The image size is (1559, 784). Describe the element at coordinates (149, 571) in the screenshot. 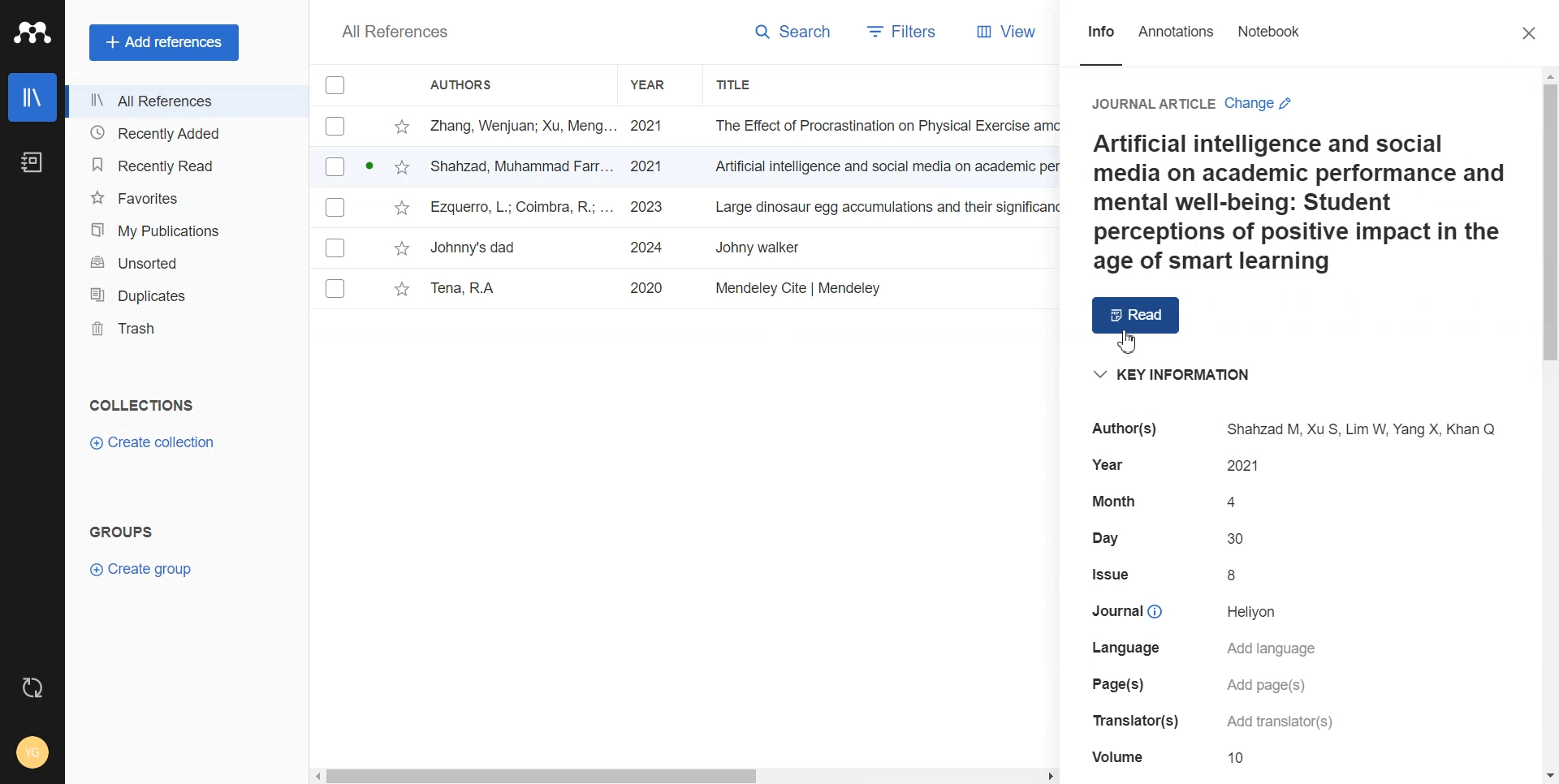

I see `Create Group` at that location.